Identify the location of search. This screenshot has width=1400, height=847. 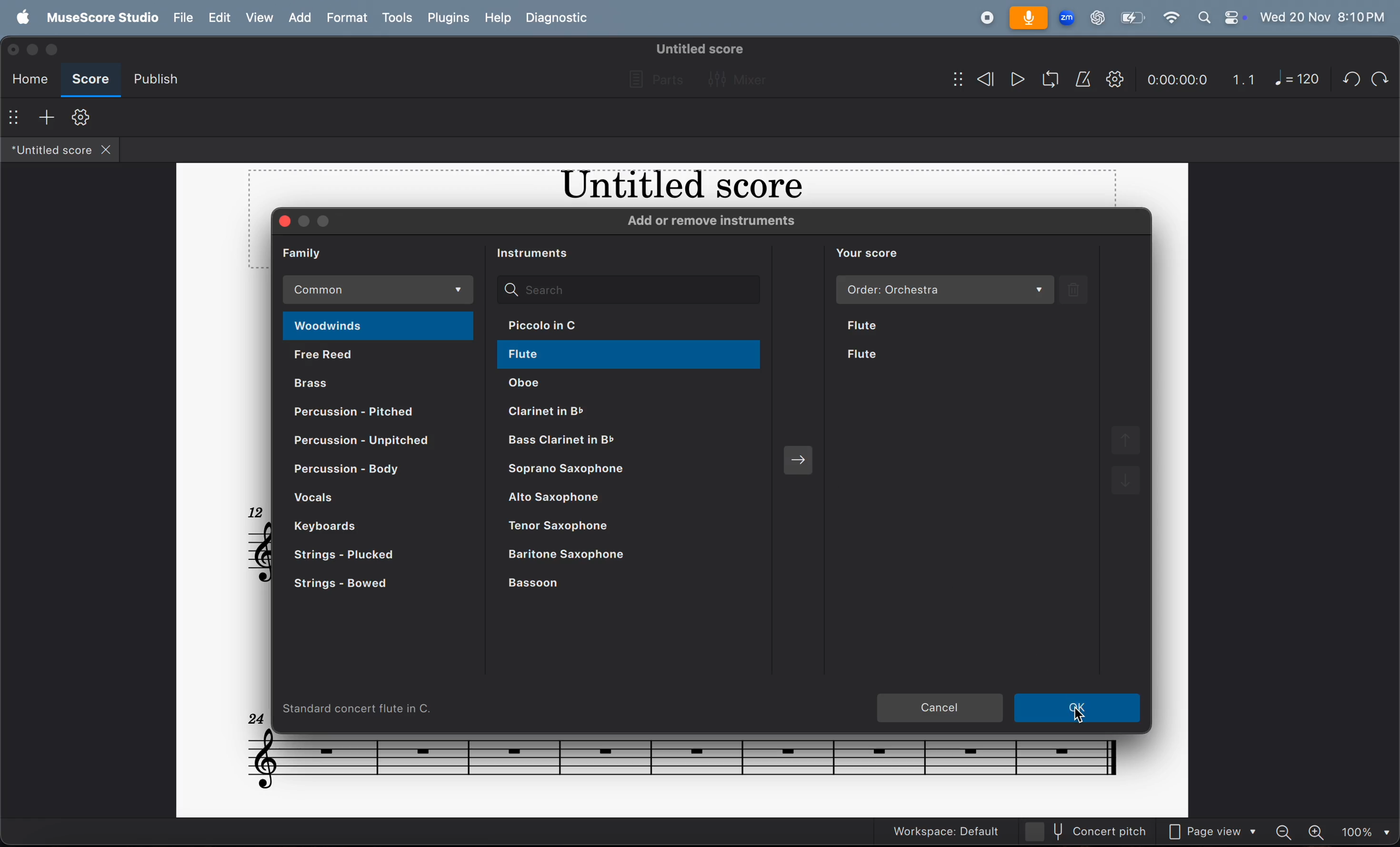
(628, 288).